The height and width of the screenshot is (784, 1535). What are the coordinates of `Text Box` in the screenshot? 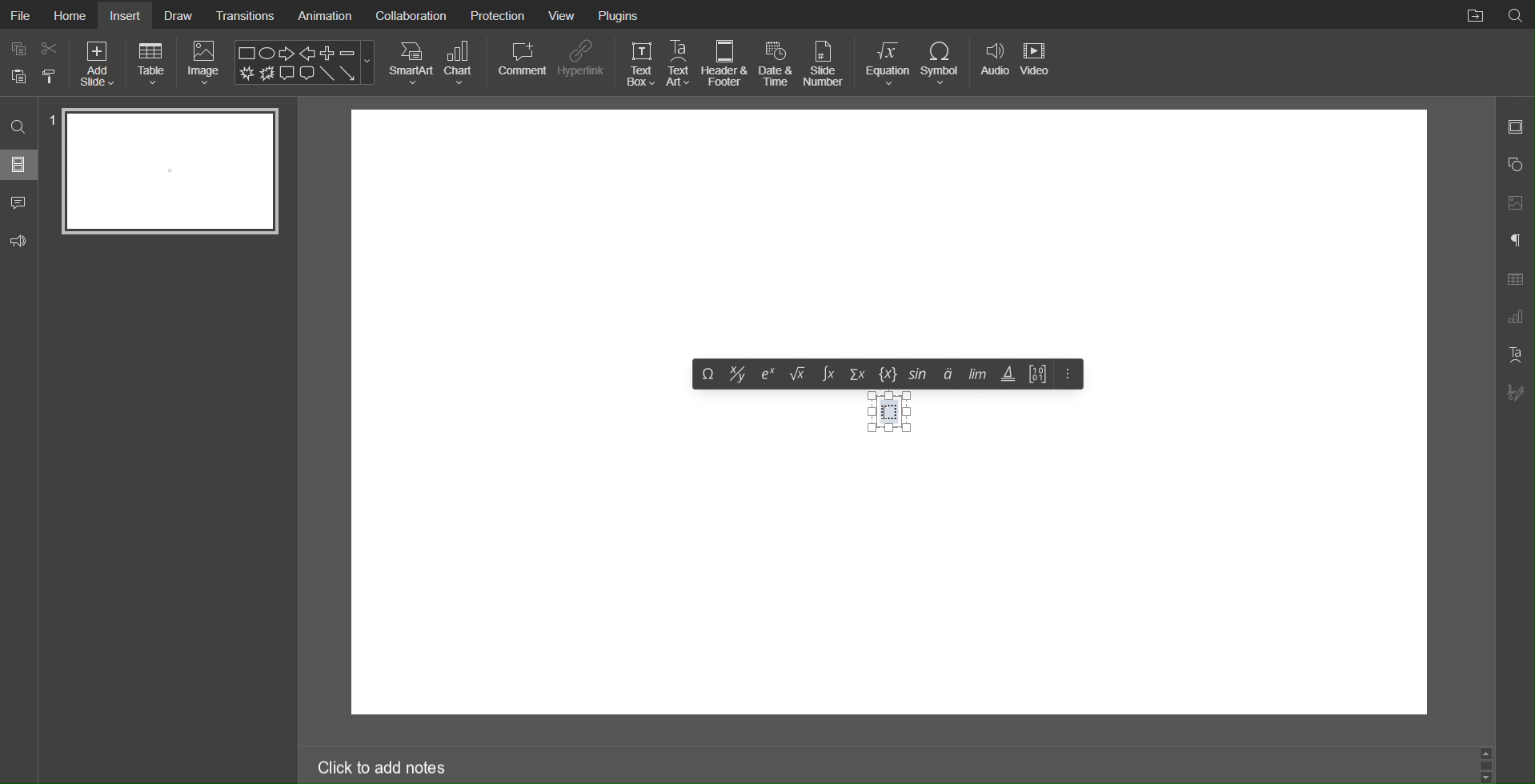 It's located at (891, 411).